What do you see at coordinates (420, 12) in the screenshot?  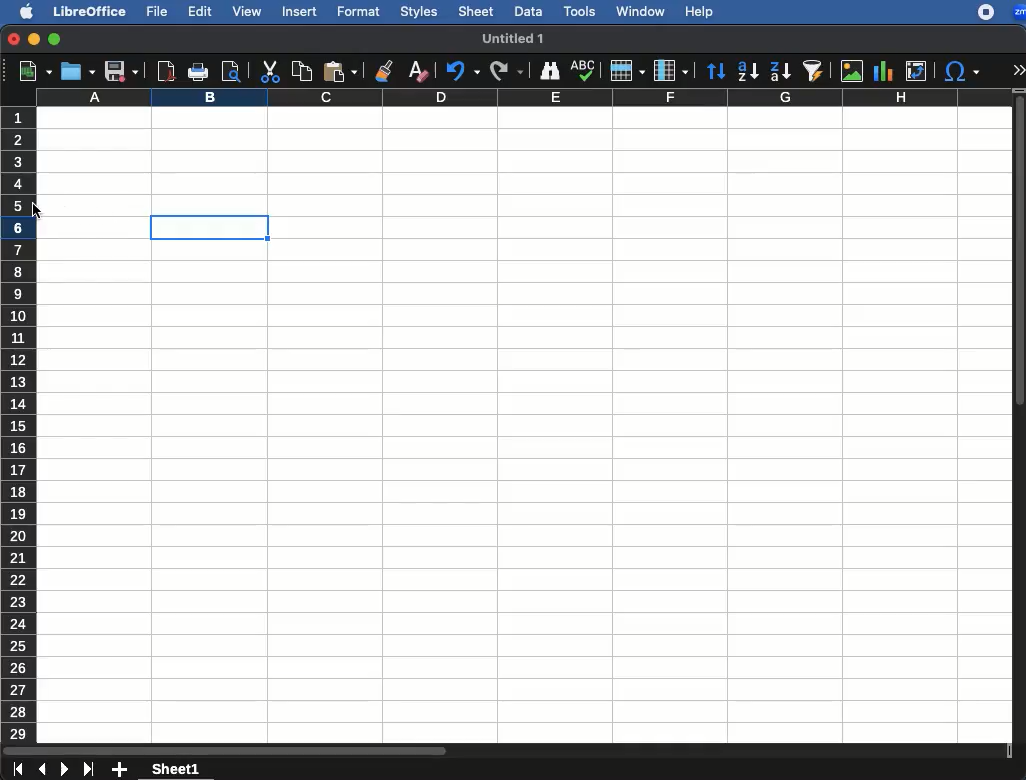 I see `styles` at bounding box center [420, 12].